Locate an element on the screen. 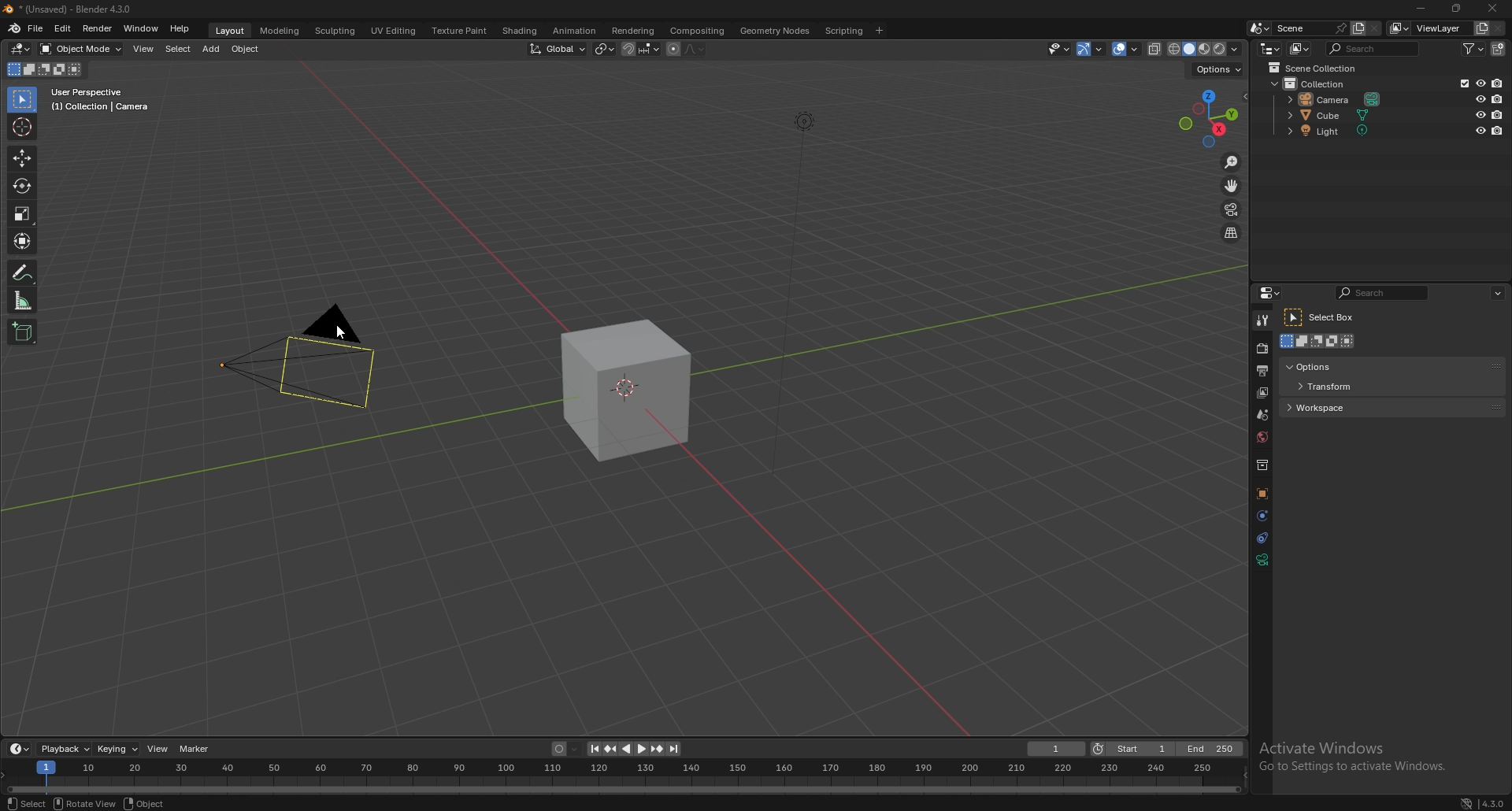  search is located at coordinates (1381, 292).